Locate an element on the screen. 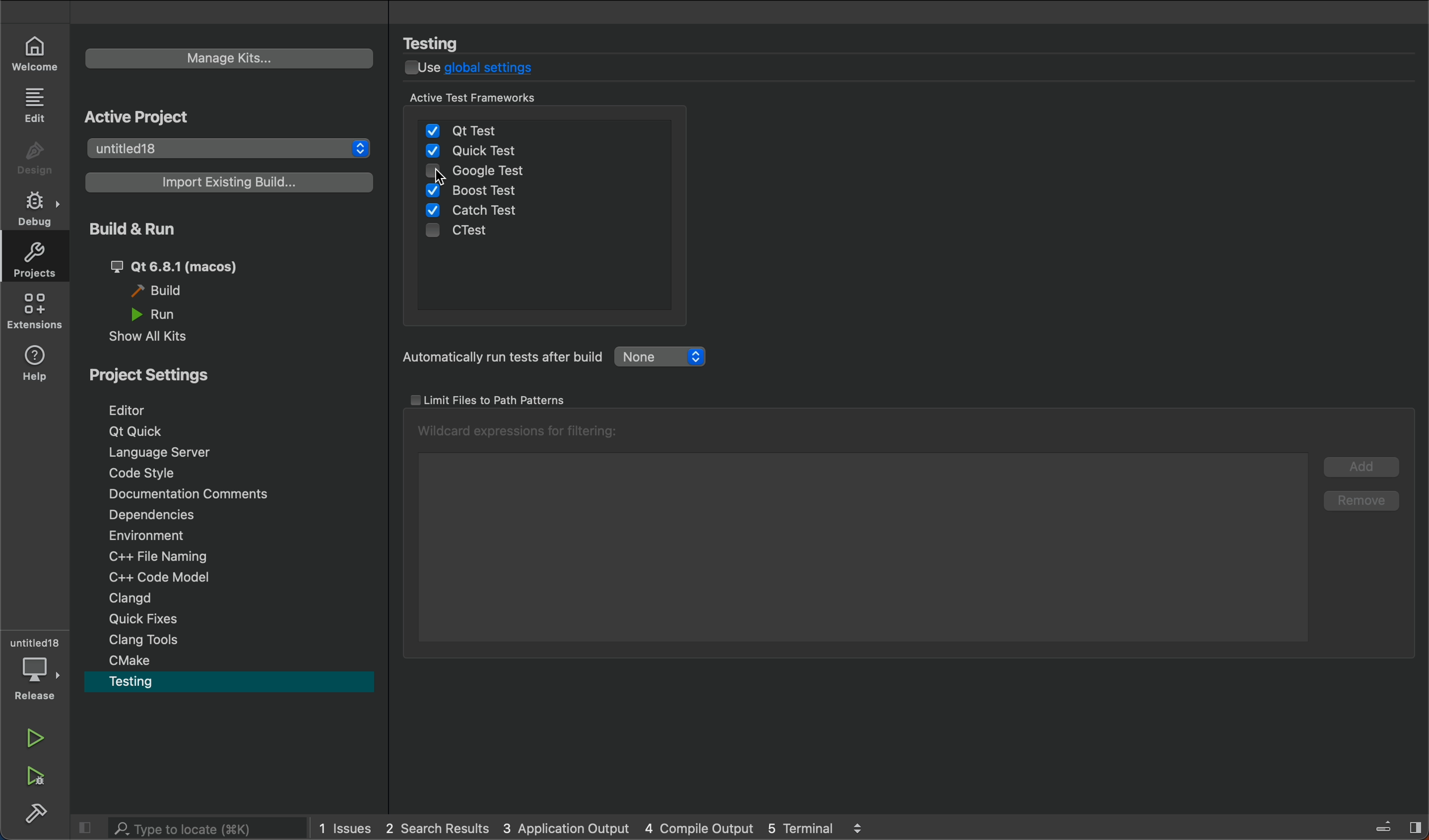  coding style is located at coordinates (229, 477).